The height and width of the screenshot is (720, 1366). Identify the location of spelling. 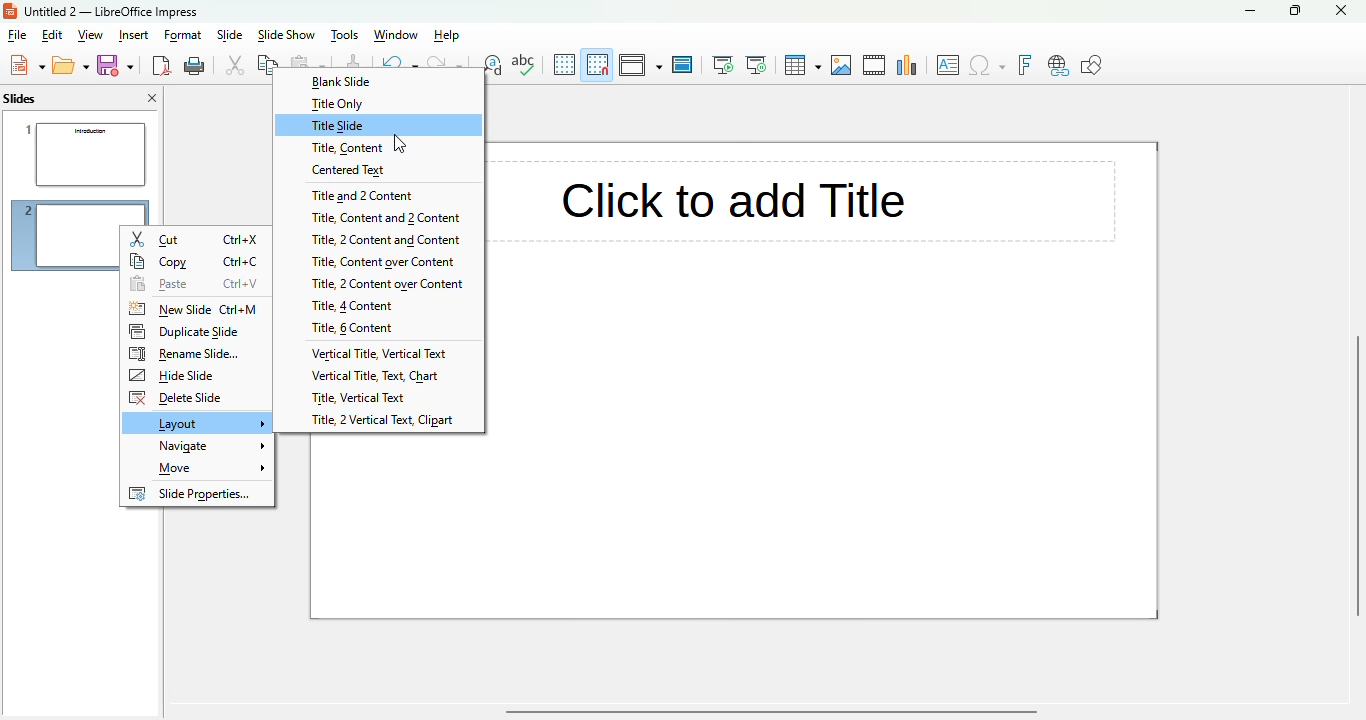
(524, 64).